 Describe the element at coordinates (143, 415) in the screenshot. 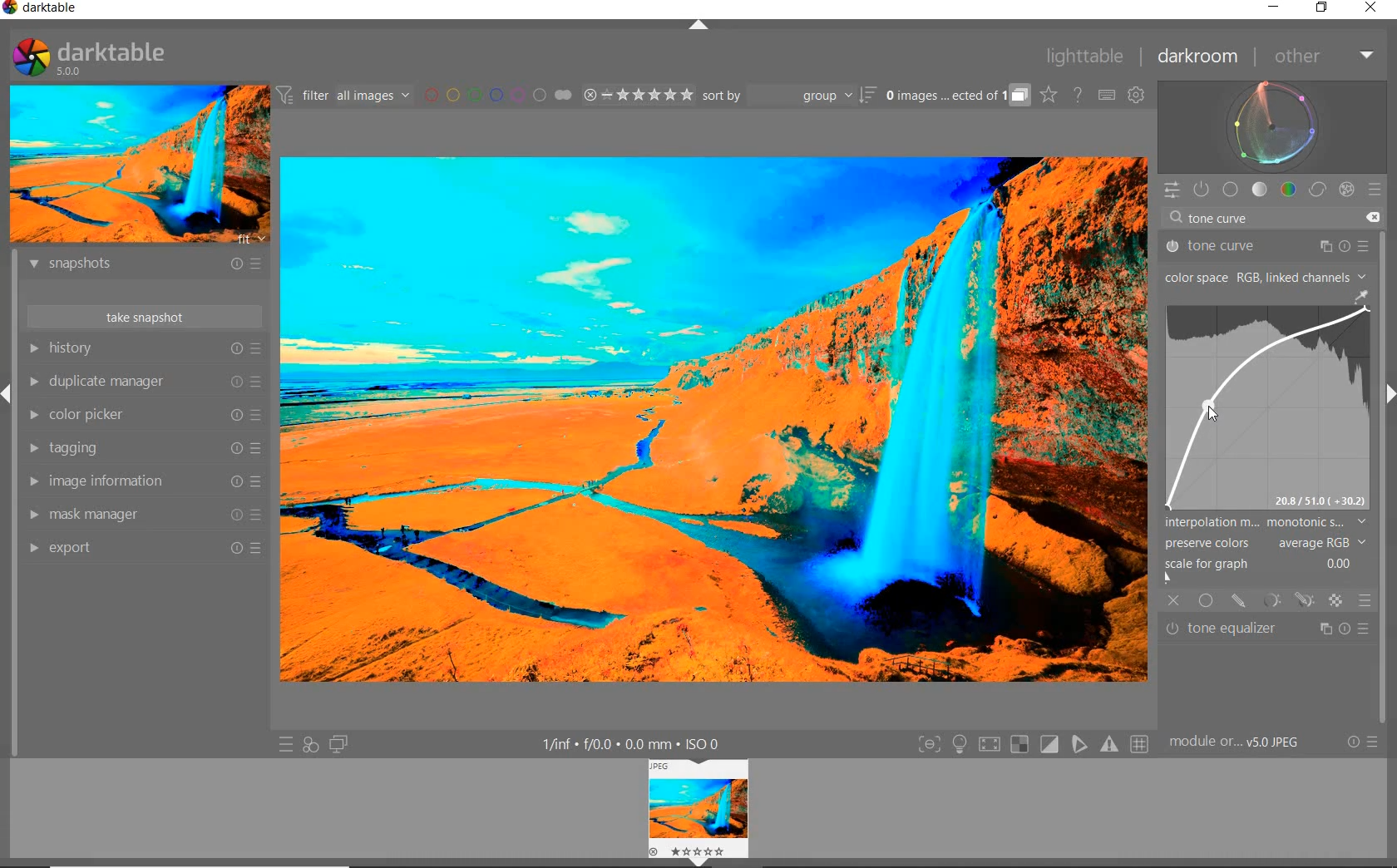

I see `color picker` at that location.